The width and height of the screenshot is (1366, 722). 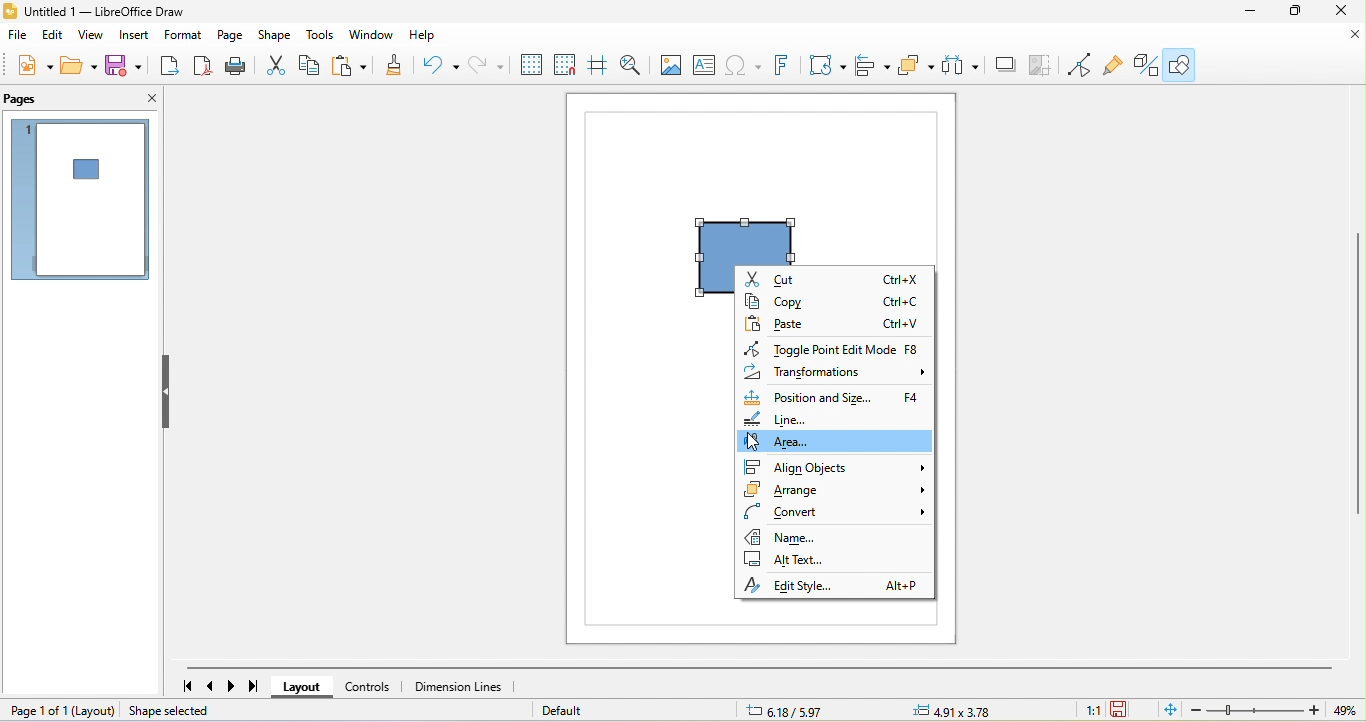 I want to click on window, so click(x=372, y=36).